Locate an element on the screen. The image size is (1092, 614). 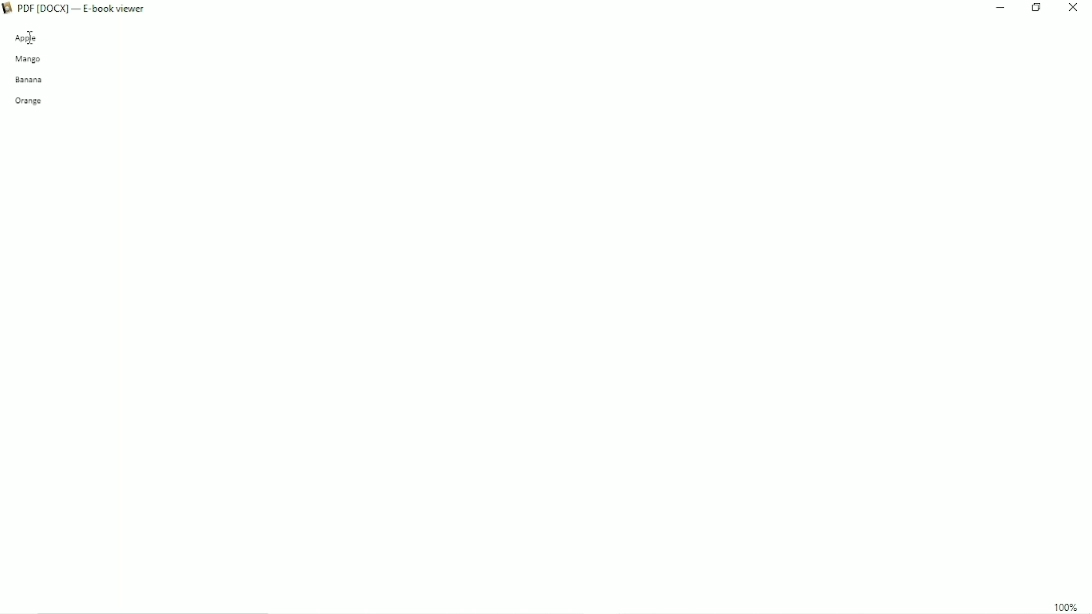
100% is located at coordinates (1067, 606).